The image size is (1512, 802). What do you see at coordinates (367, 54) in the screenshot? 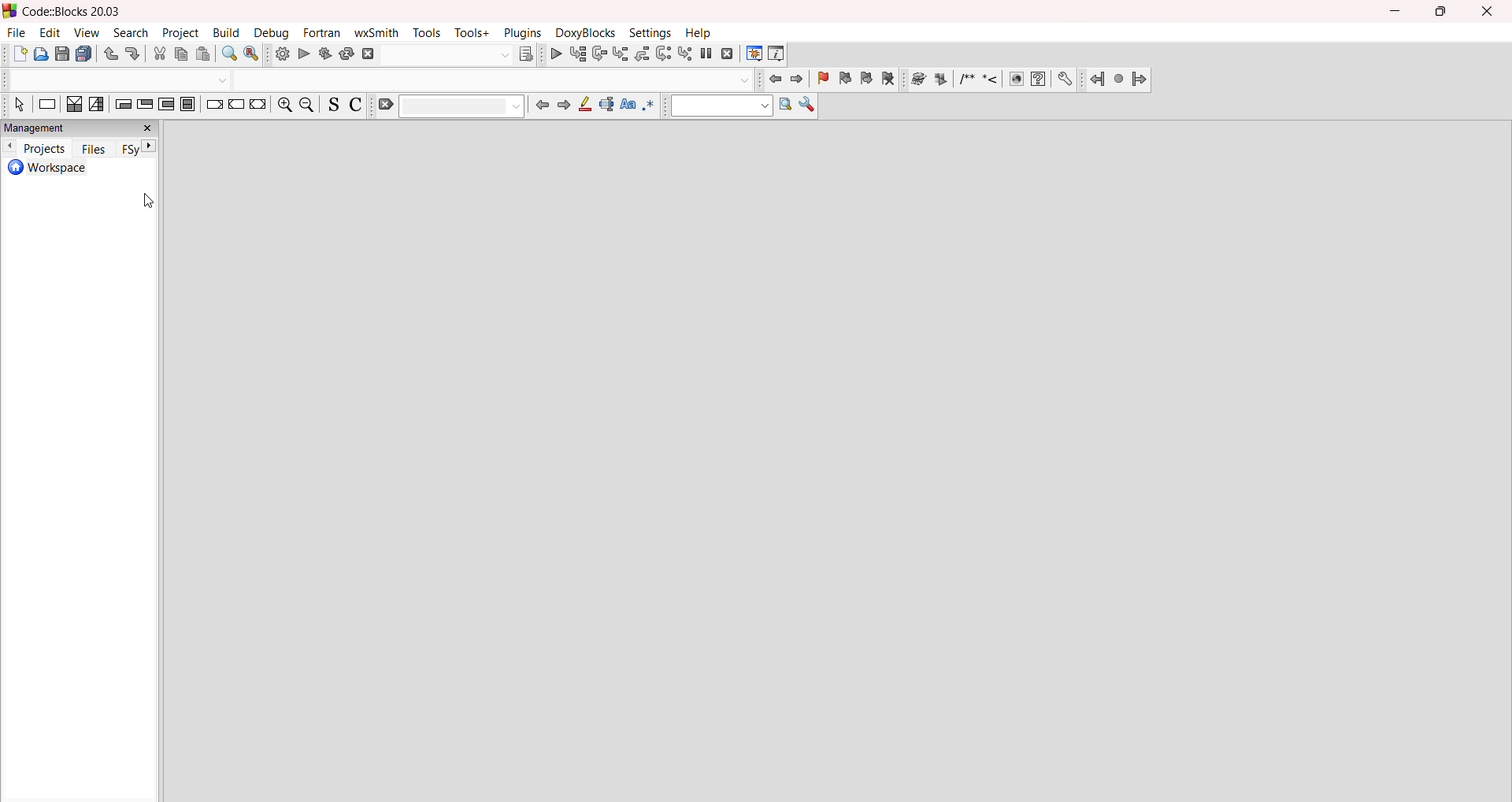
I see `abort` at bounding box center [367, 54].